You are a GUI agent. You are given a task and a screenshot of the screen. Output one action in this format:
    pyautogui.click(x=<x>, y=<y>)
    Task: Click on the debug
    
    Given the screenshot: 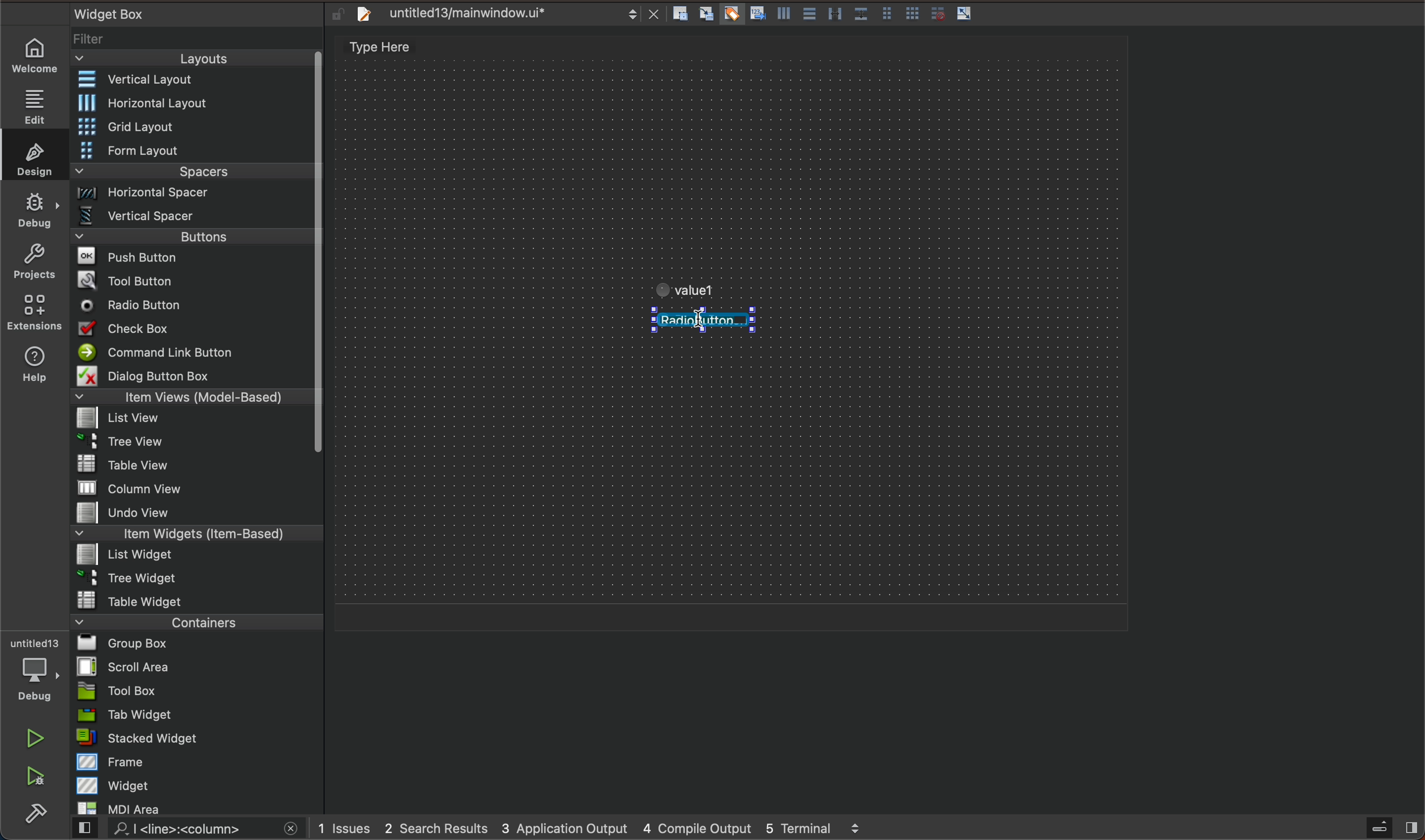 What is the action you would take?
    pyautogui.click(x=36, y=209)
    